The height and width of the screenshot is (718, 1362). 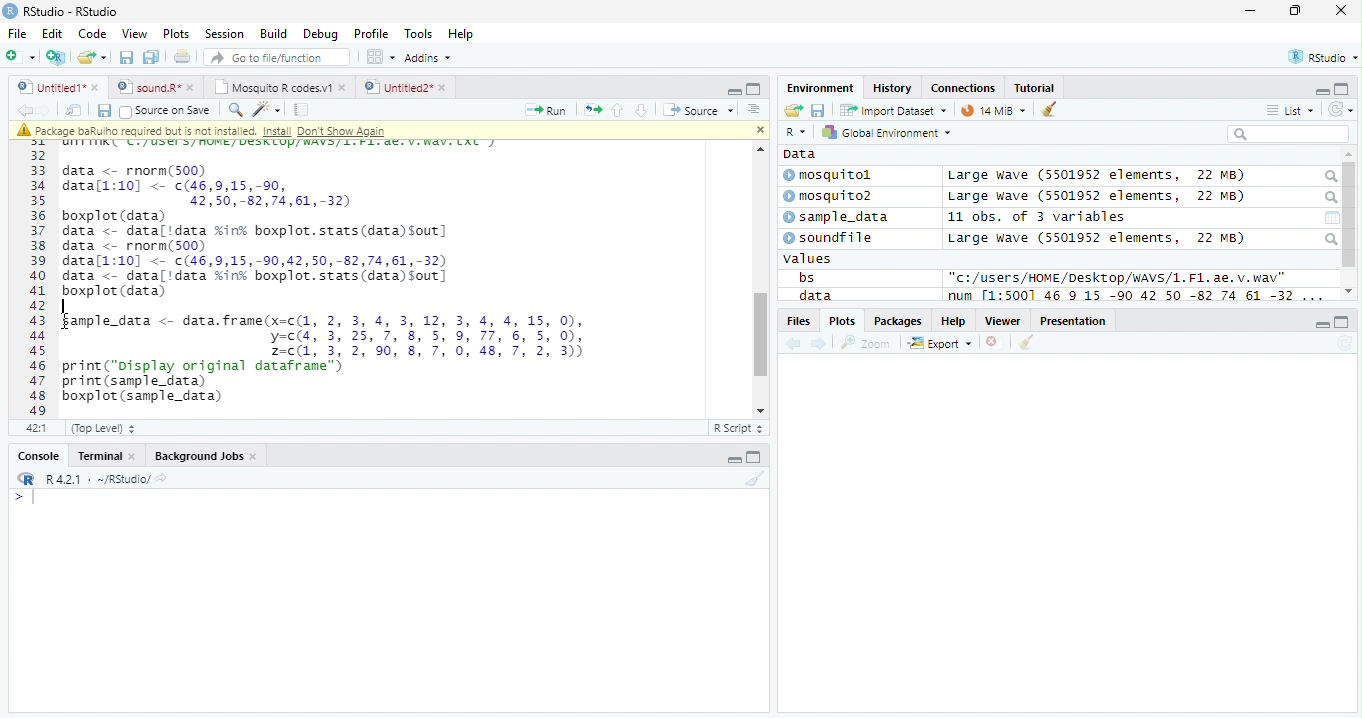 What do you see at coordinates (832, 196) in the screenshot?
I see `mosquito2` at bounding box center [832, 196].